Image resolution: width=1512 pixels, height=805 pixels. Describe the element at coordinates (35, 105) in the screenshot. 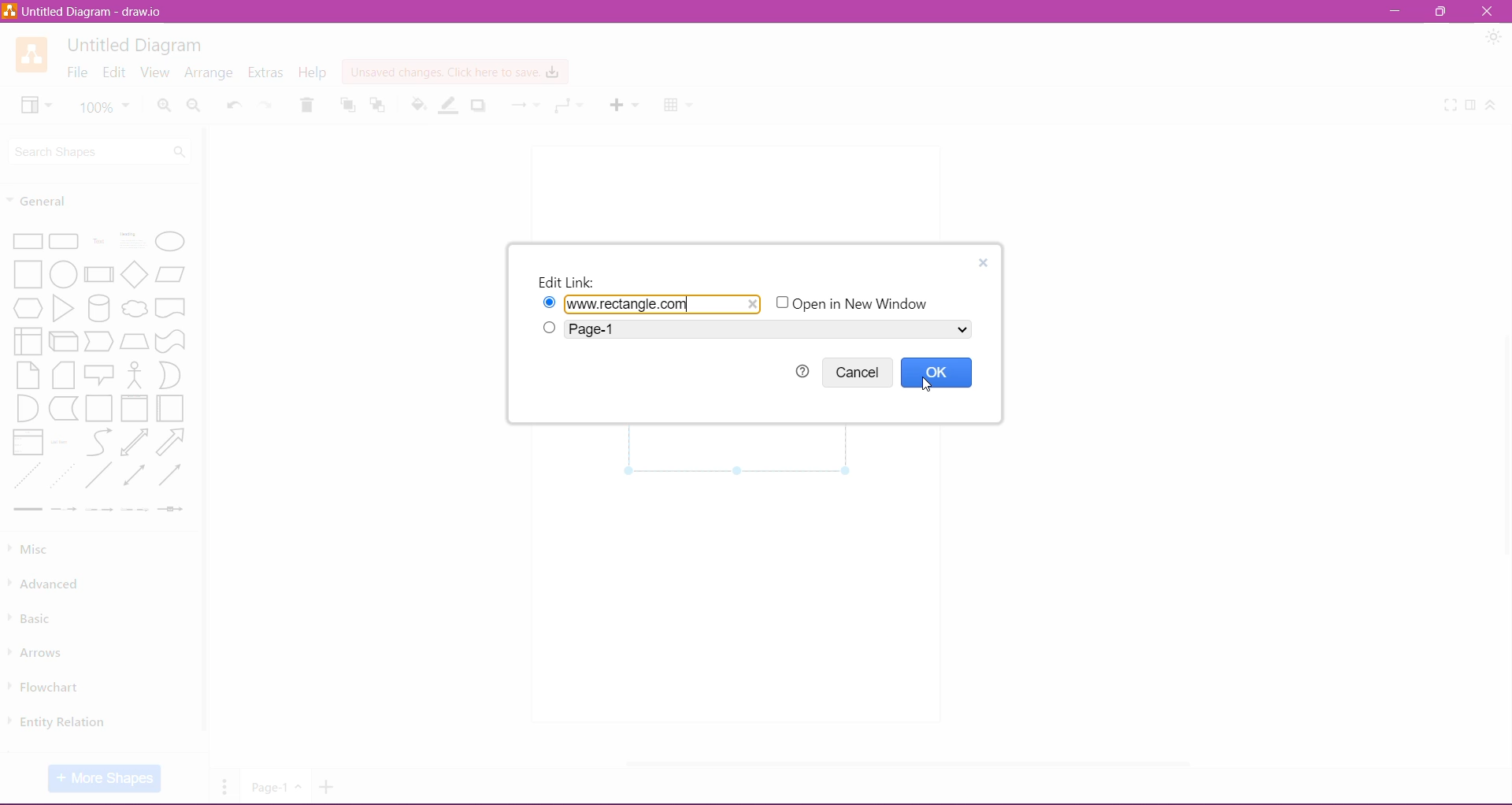

I see `View` at that location.